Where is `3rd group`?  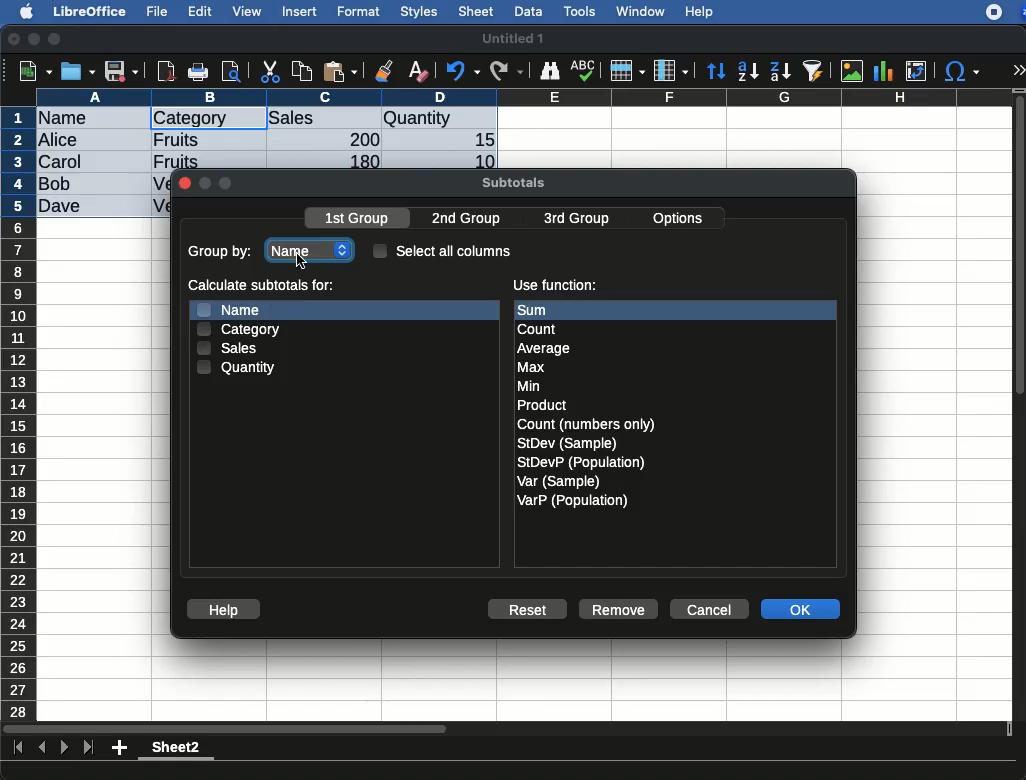
3rd group is located at coordinates (576, 220).